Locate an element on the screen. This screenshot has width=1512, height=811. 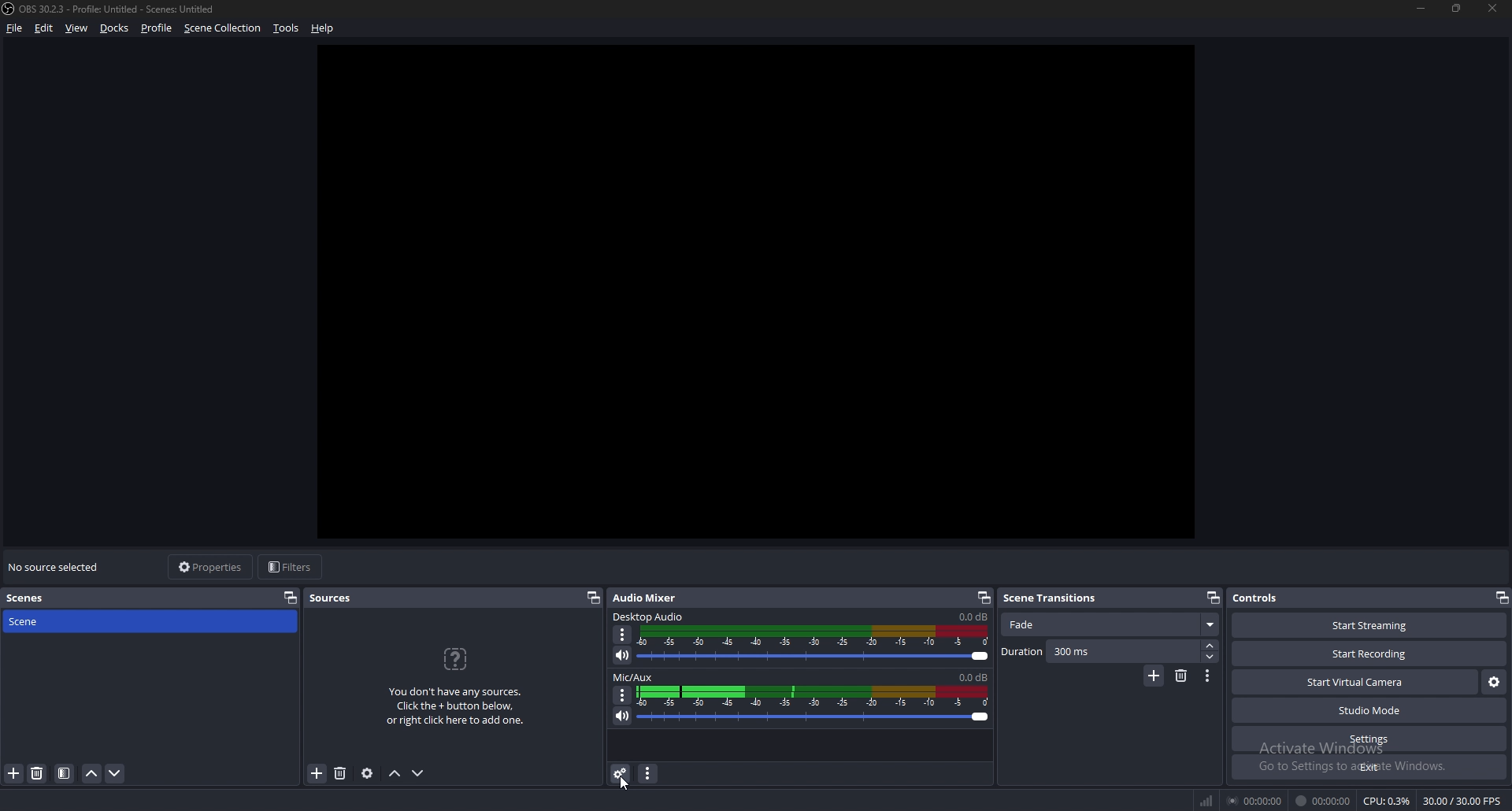
move sources down is located at coordinates (419, 773).